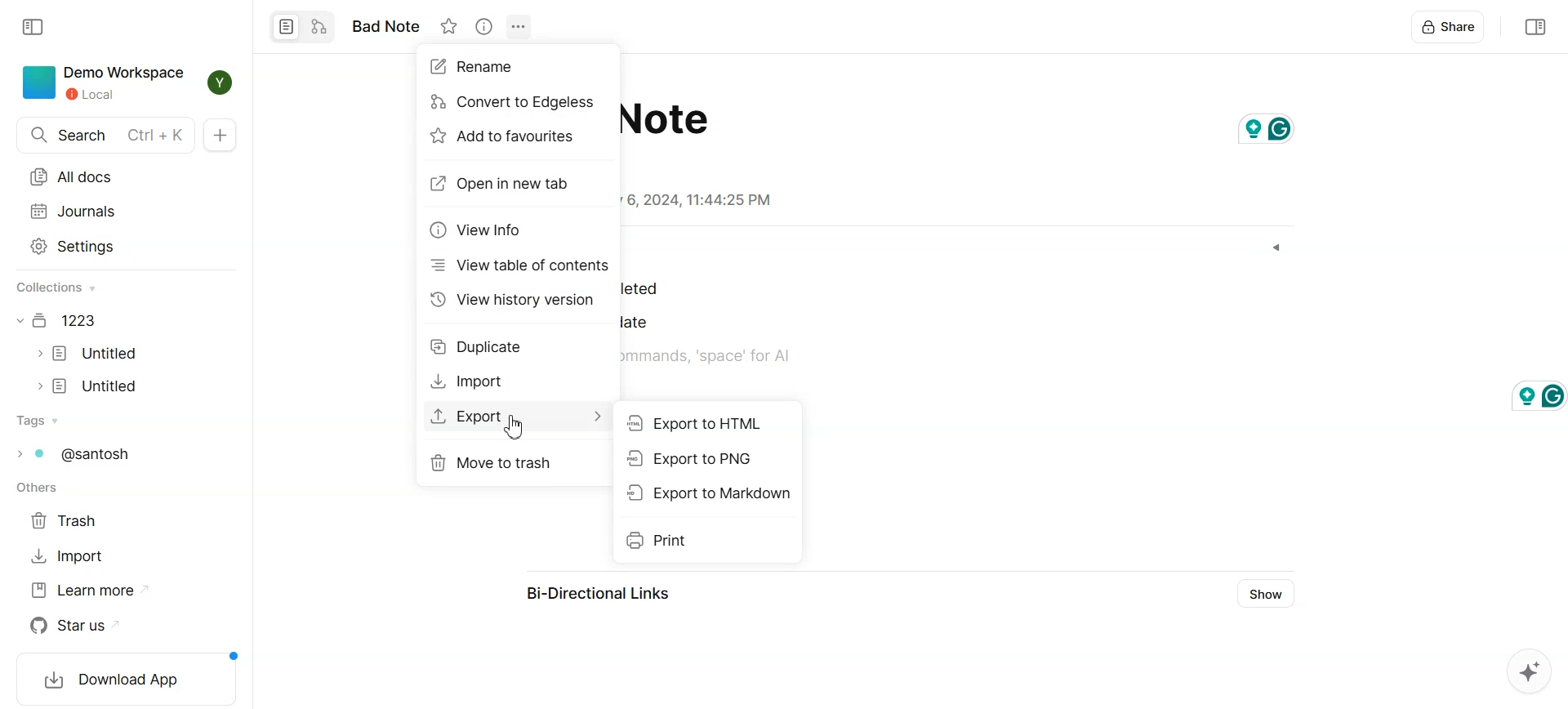  I want to click on Rename, so click(483, 67).